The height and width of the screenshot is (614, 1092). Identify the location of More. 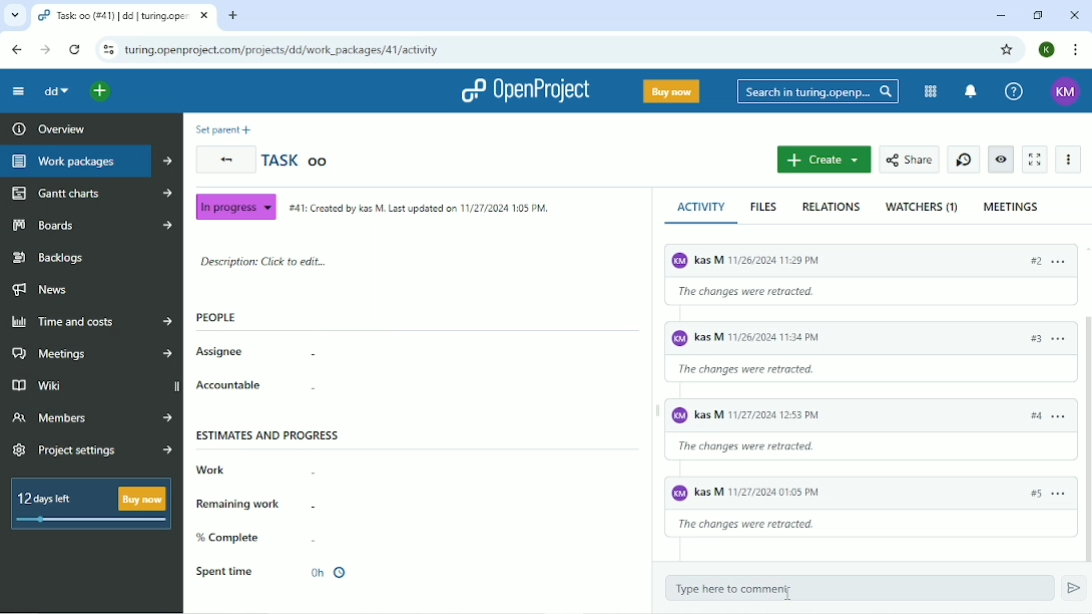
(1069, 159).